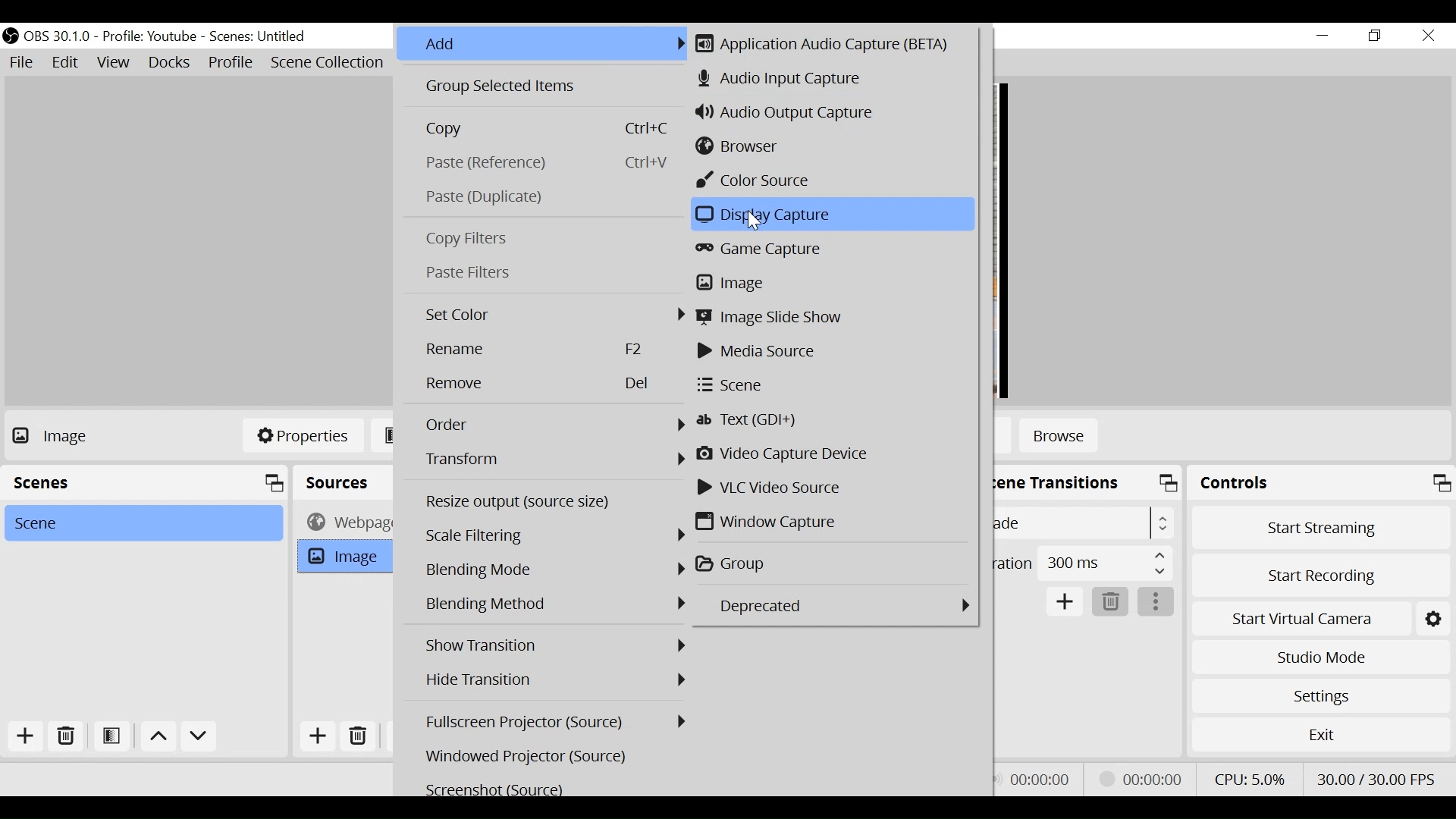 The image size is (1456, 819). What do you see at coordinates (544, 272) in the screenshot?
I see `Paste Filters` at bounding box center [544, 272].